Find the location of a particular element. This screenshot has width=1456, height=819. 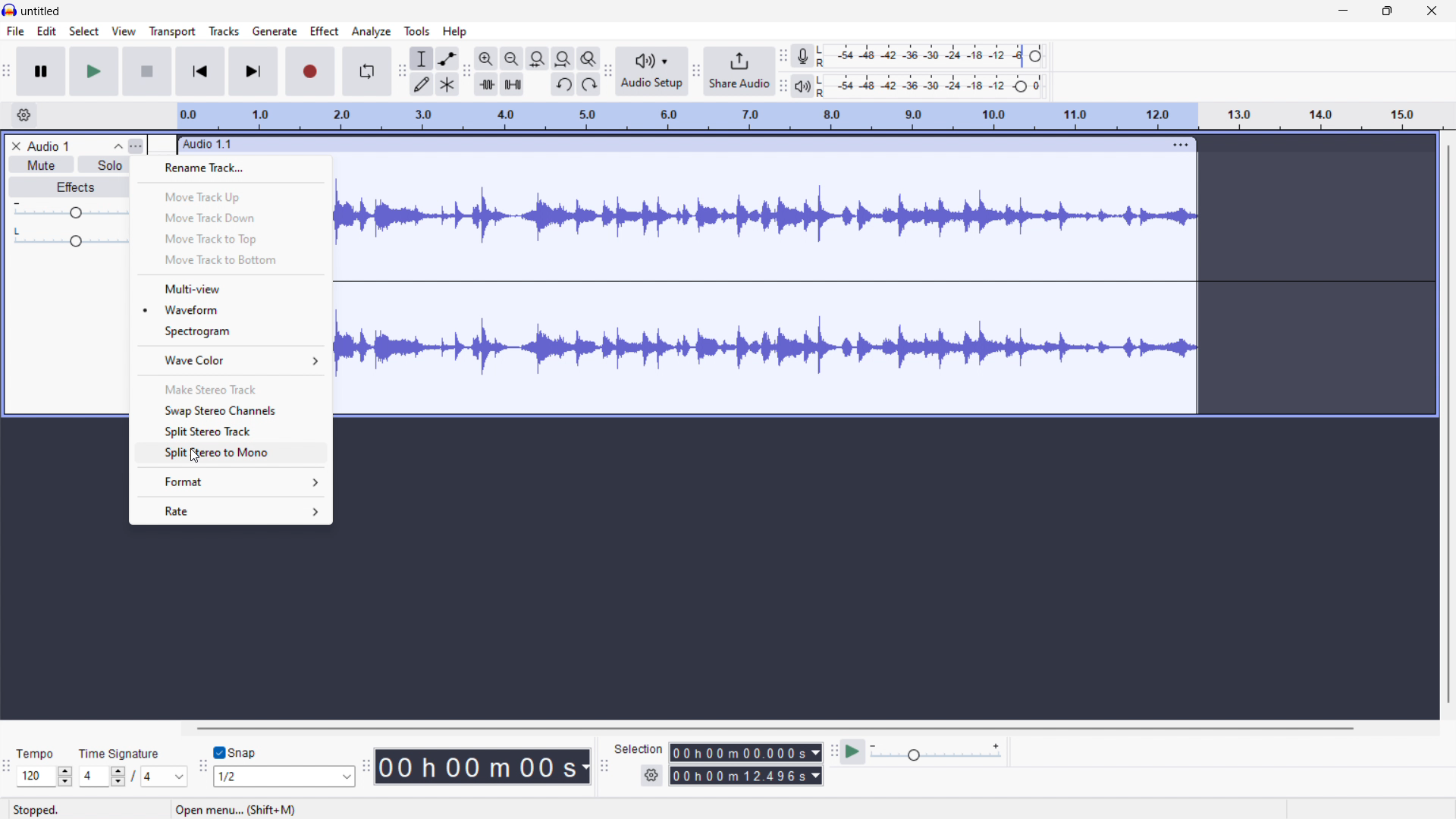

playback meter toolbar is located at coordinates (782, 87).